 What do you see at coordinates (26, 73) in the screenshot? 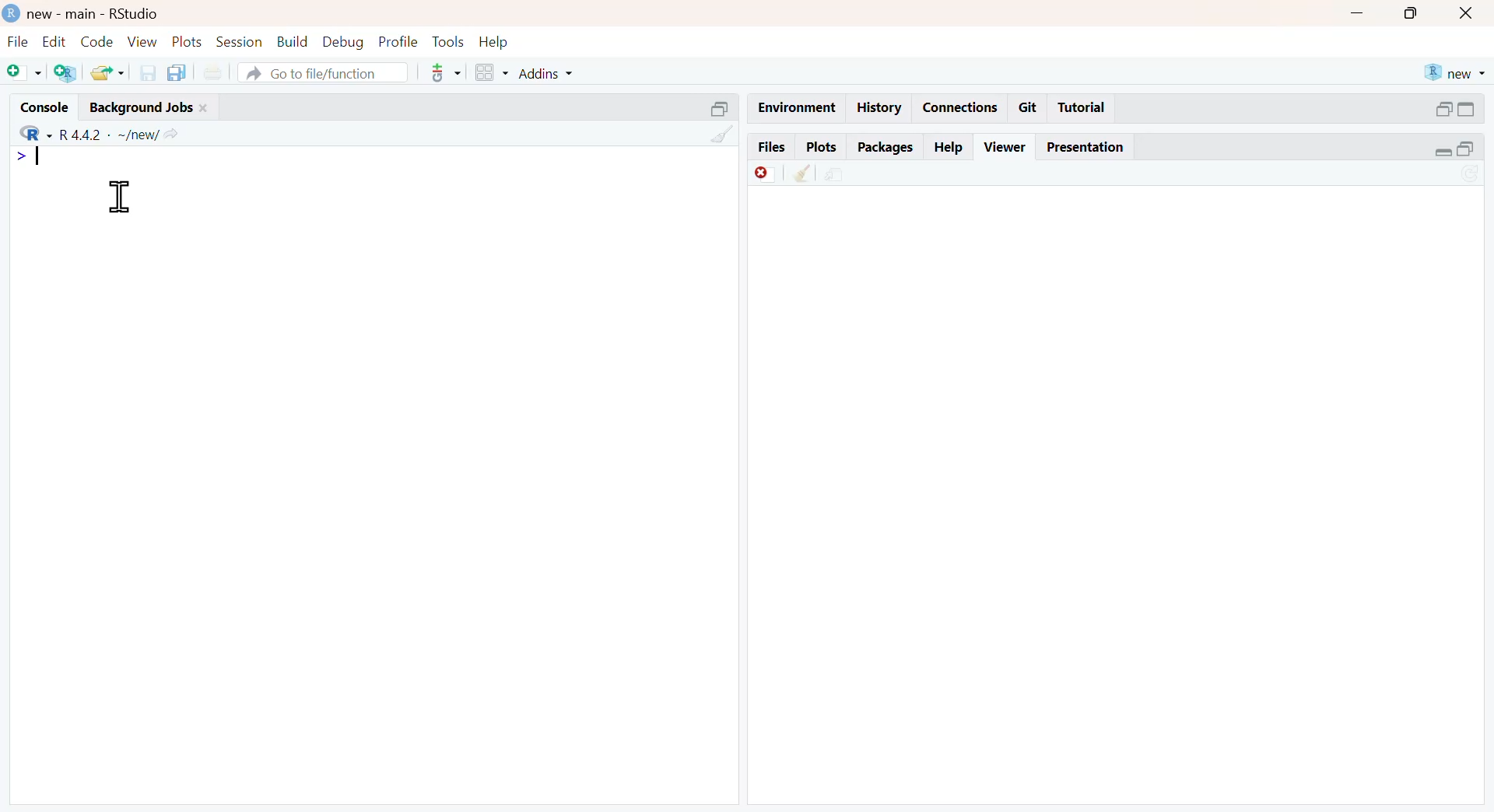
I see `Add file as` at bounding box center [26, 73].